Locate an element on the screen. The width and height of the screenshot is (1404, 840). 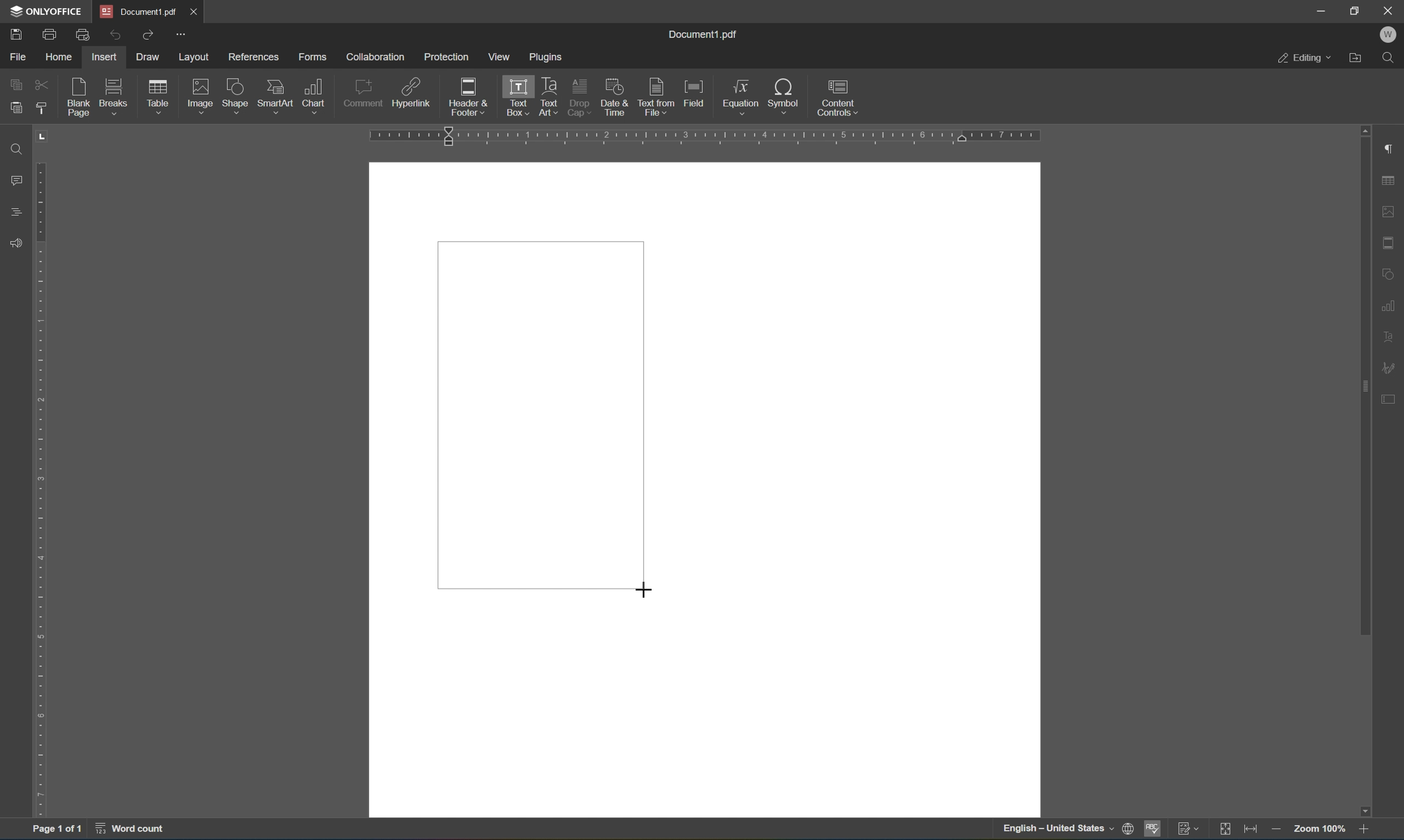
Page 1 of 1 is located at coordinates (57, 830).